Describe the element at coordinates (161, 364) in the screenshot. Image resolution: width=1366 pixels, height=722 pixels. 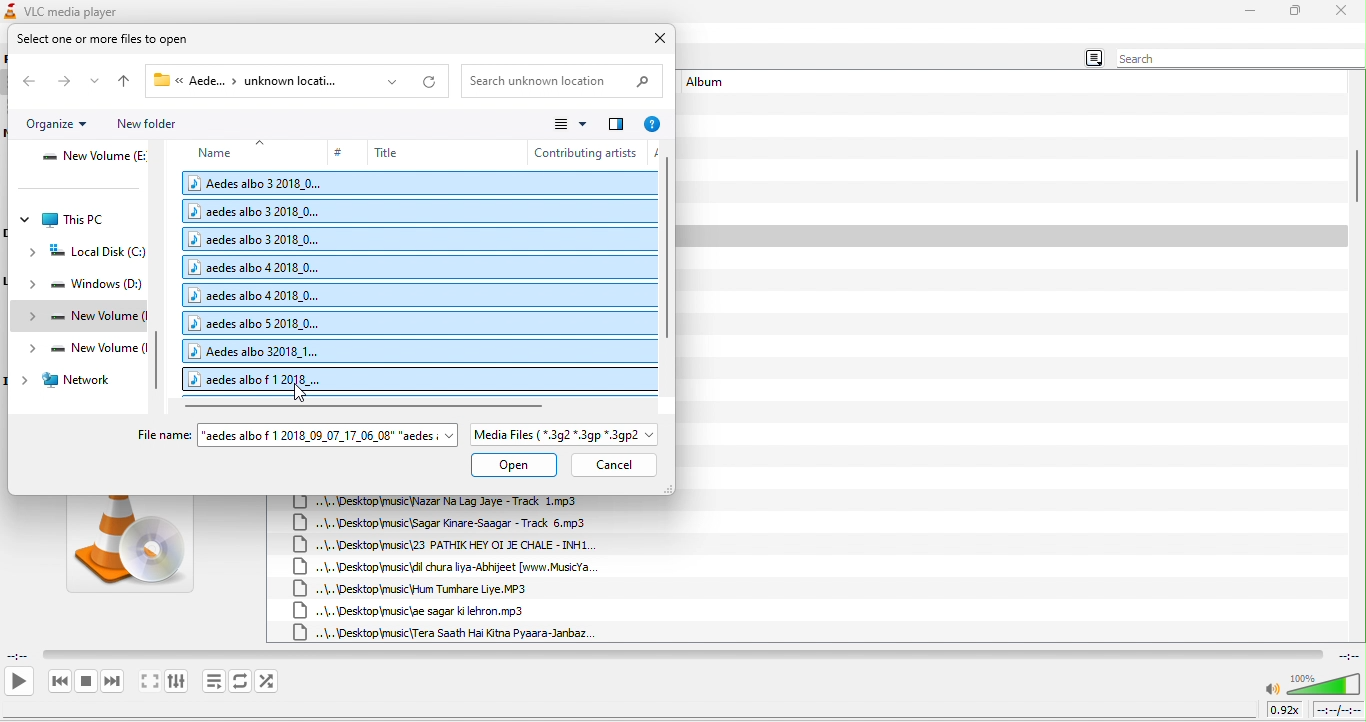
I see `vertical scroll bar` at that location.